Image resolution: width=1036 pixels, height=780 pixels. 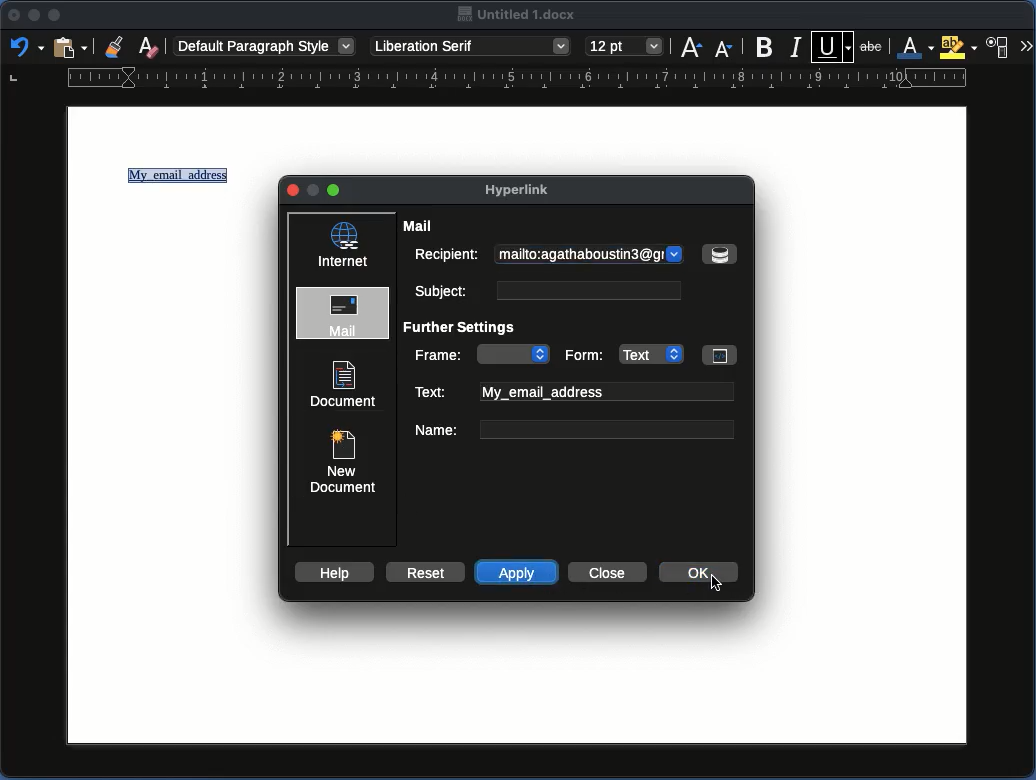 What do you see at coordinates (706, 576) in the screenshot?
I see `OK` at bounding box center [706, 576].